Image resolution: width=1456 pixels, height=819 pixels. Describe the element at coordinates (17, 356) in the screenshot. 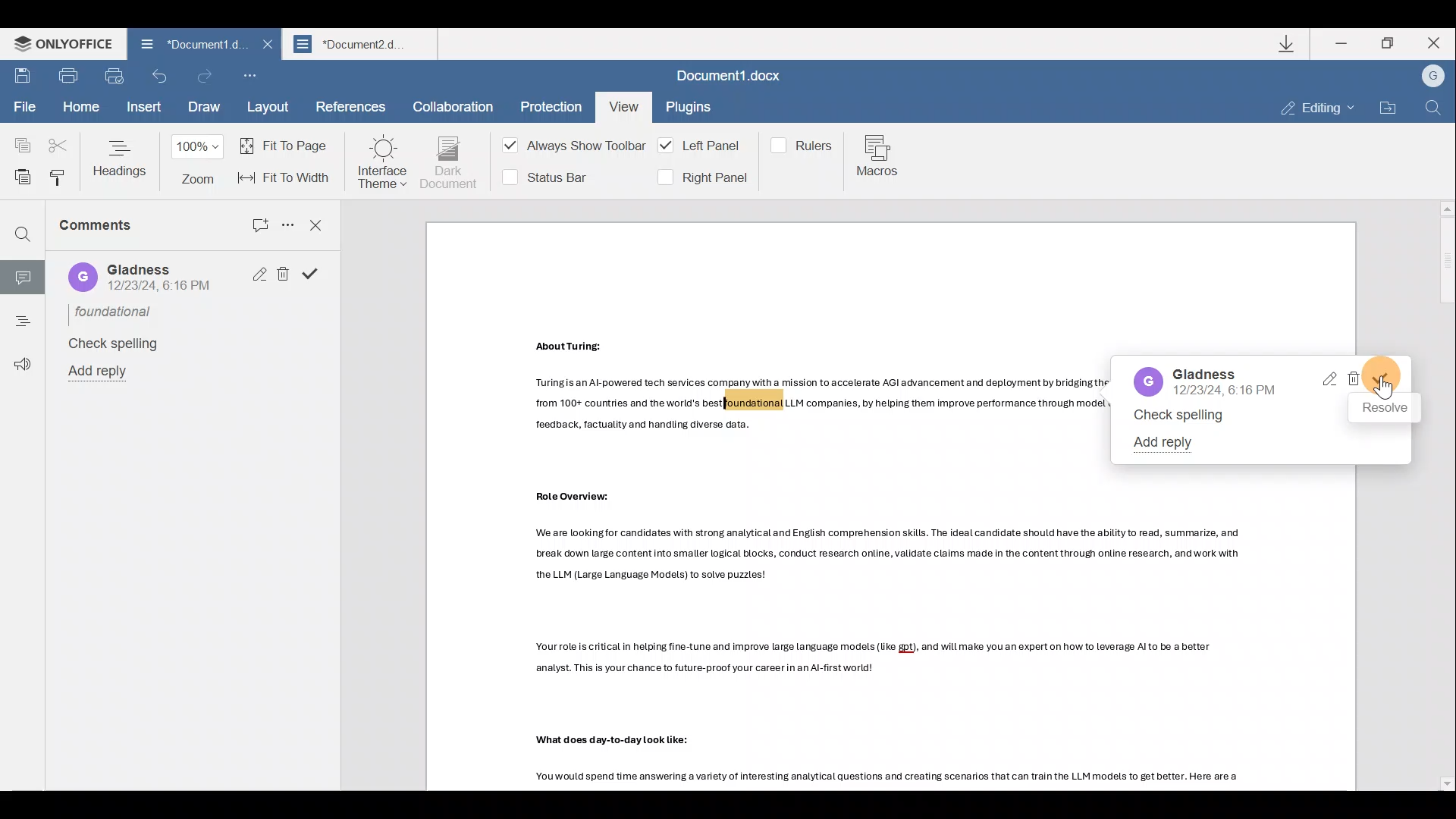

I see `Feedback & support` at that location.